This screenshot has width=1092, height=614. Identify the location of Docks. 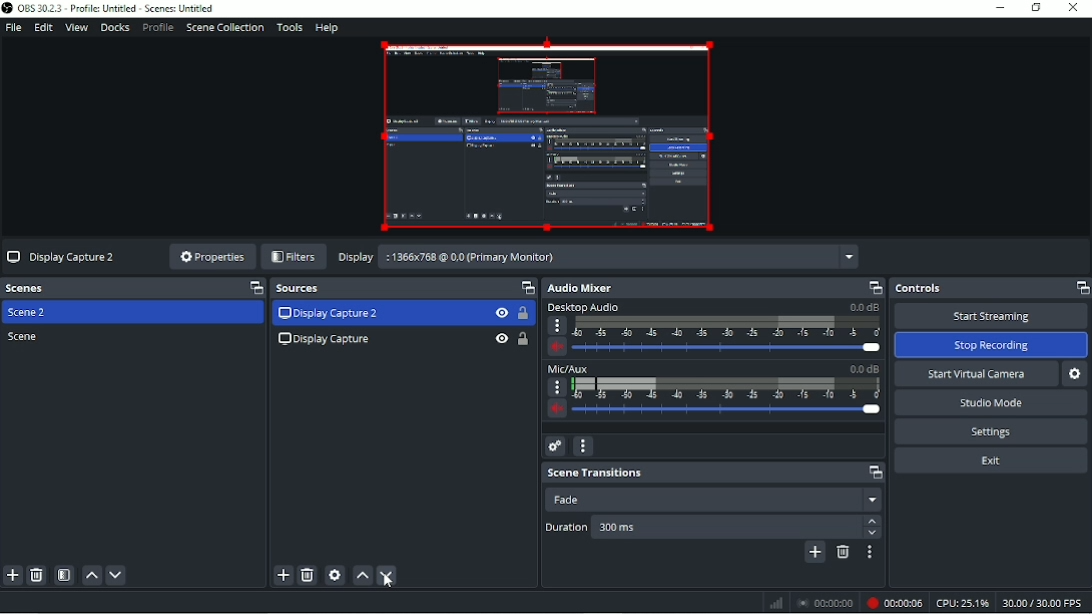
(114, 28).